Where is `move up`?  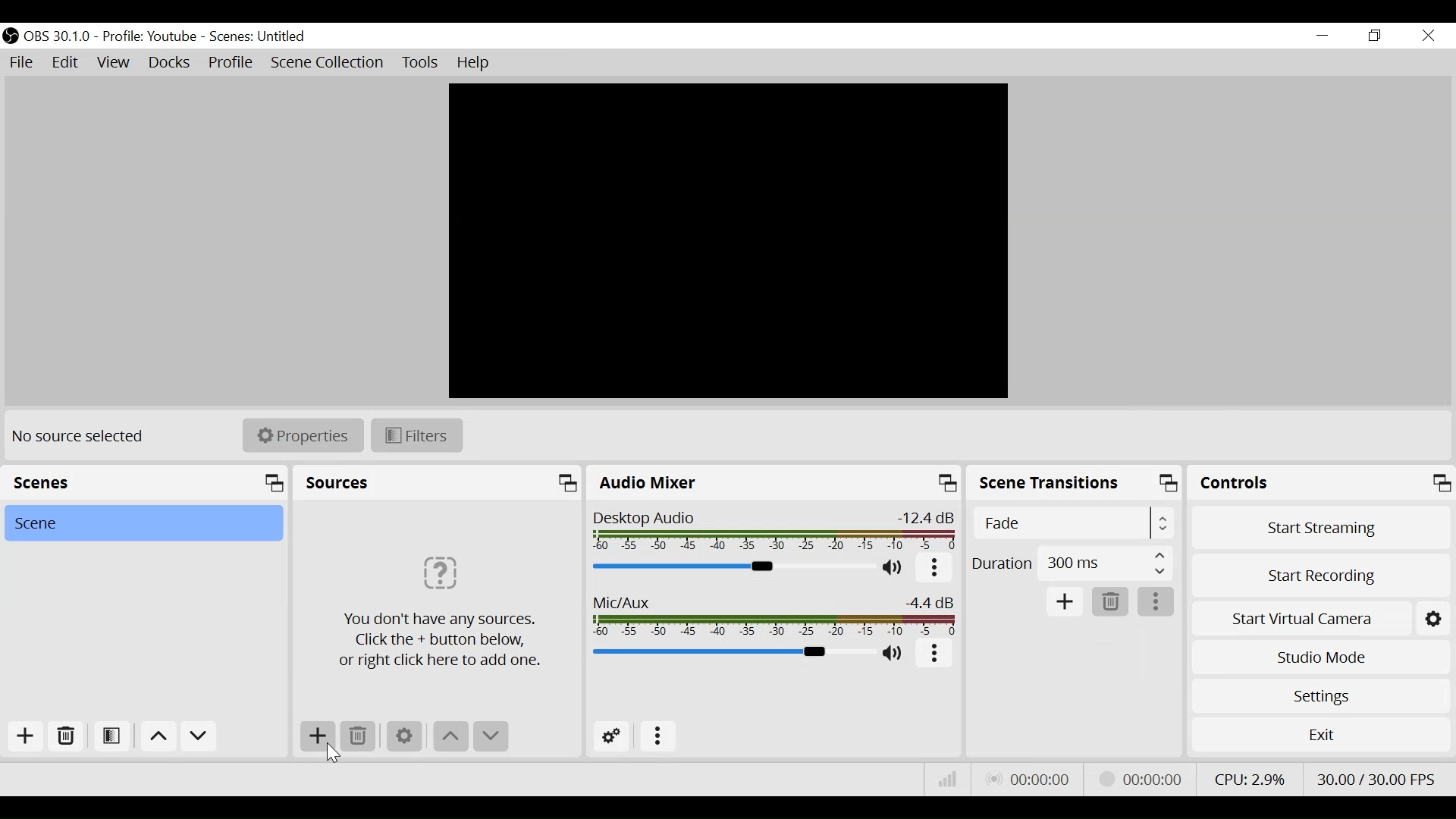 move up is located at coordinates (157, 736).